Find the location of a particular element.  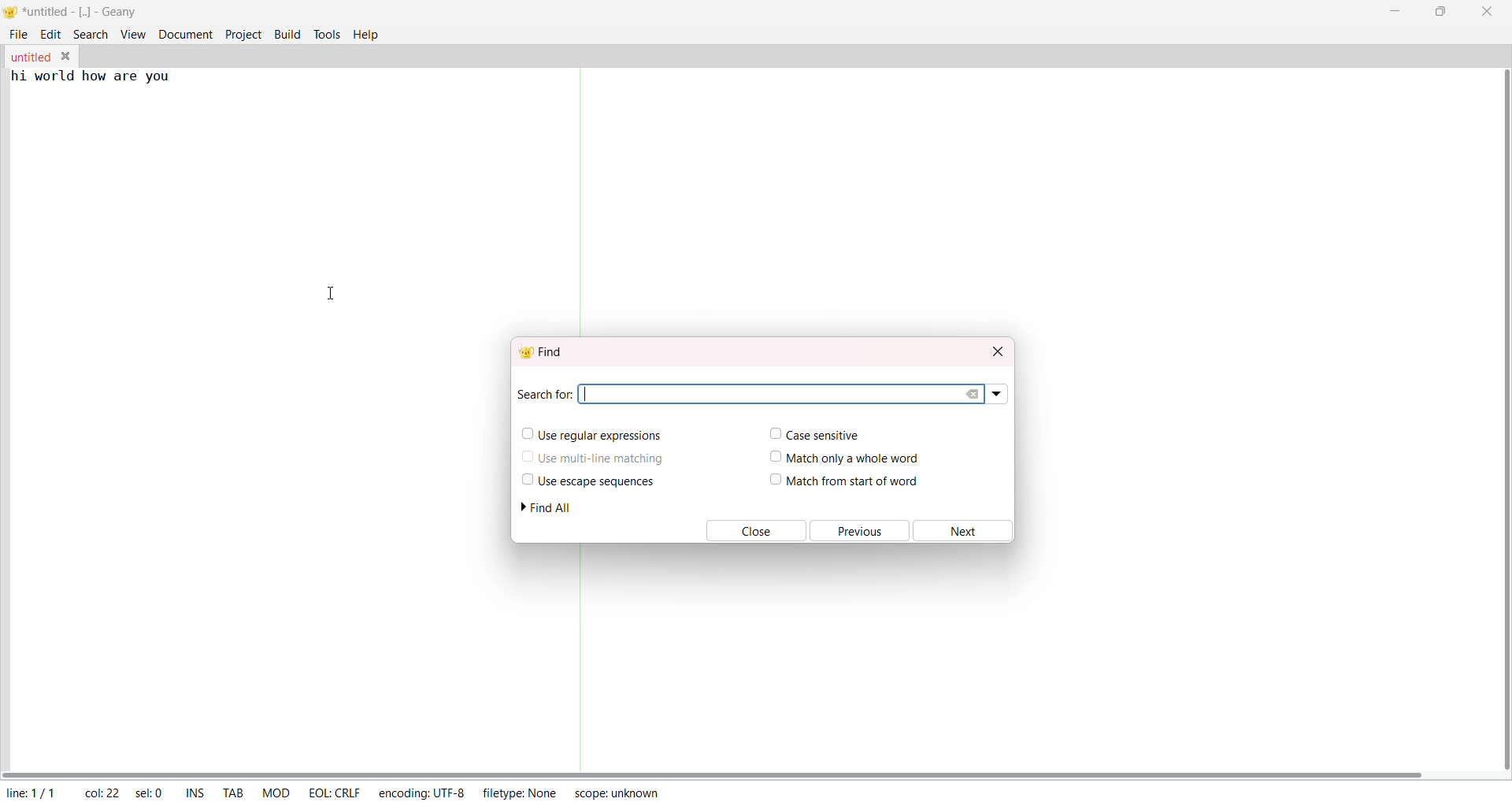

close  is located at coordinates (69, 55).